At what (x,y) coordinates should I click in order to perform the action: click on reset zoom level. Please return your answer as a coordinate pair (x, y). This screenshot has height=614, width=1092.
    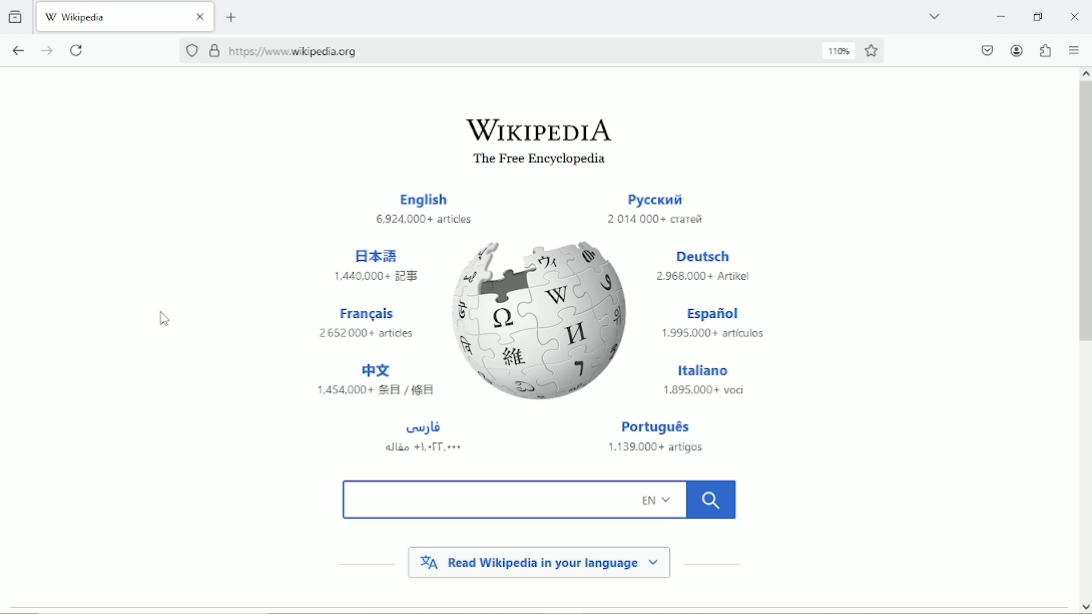
    Looking at the image, I should click on (837, 50).